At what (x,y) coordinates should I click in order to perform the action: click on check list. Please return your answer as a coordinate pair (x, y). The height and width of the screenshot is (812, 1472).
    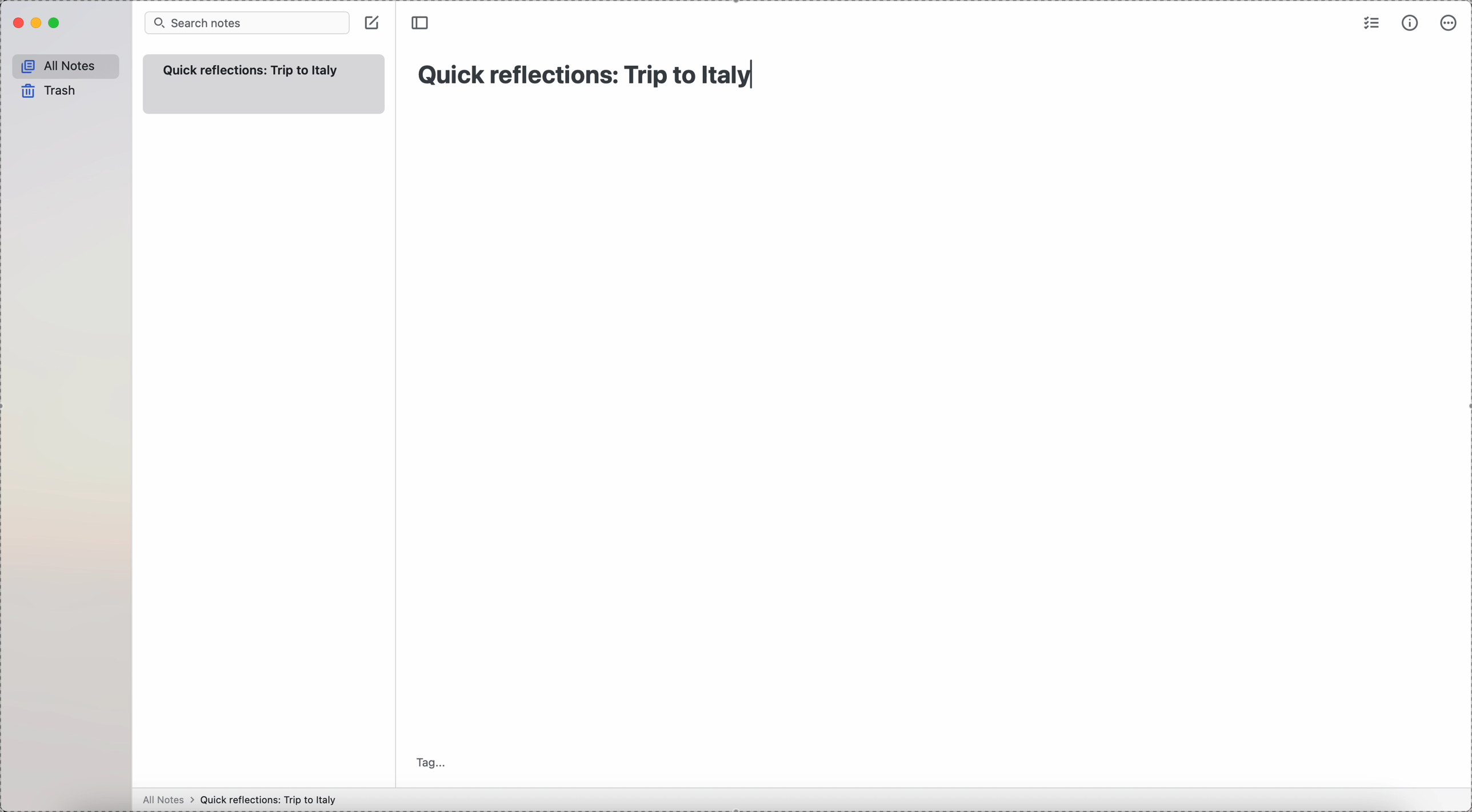
    Looking at the image, I should click on (1372, 22).